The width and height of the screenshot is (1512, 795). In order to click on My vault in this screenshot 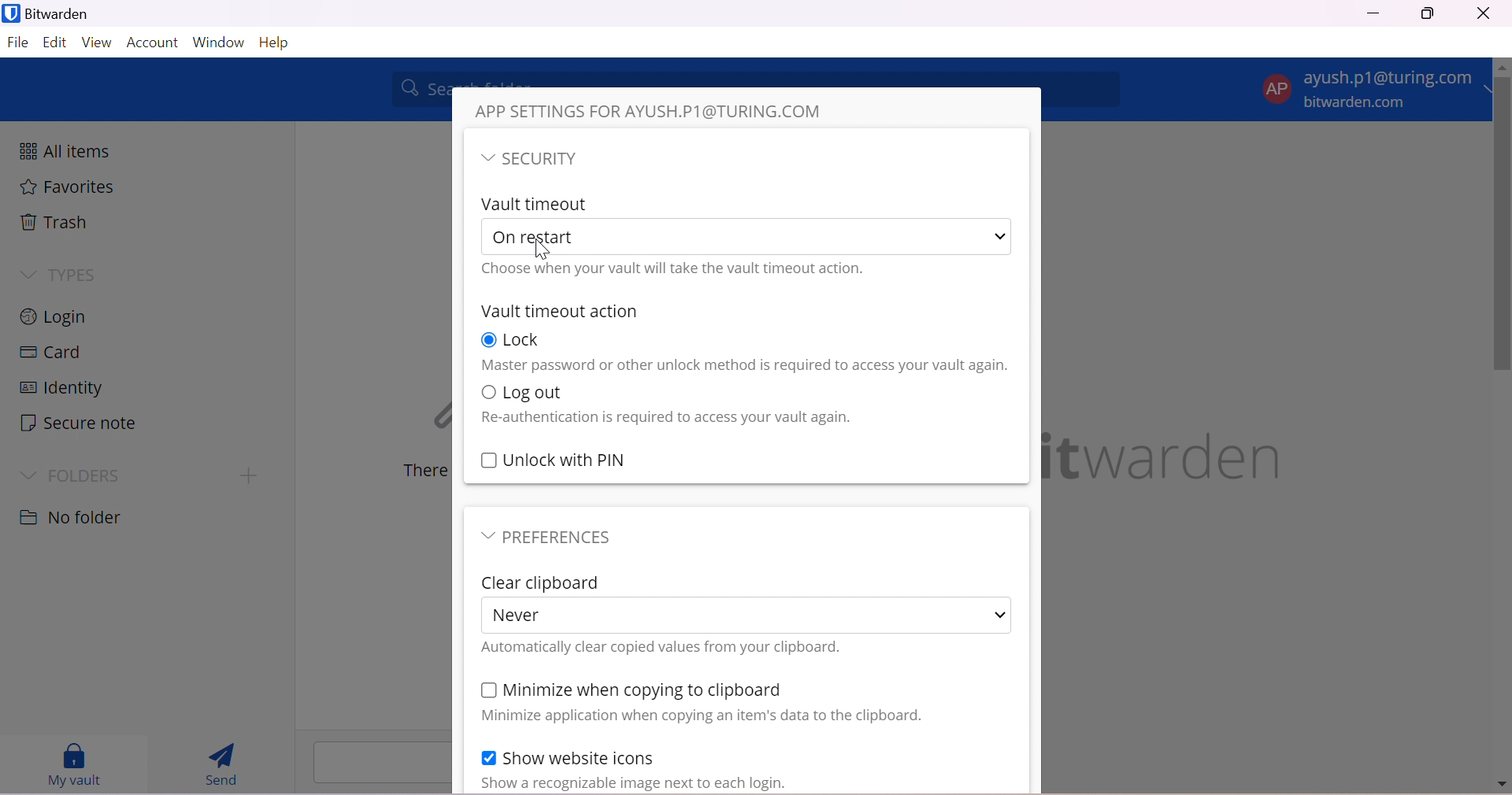, I will do `click(78, 765)`.